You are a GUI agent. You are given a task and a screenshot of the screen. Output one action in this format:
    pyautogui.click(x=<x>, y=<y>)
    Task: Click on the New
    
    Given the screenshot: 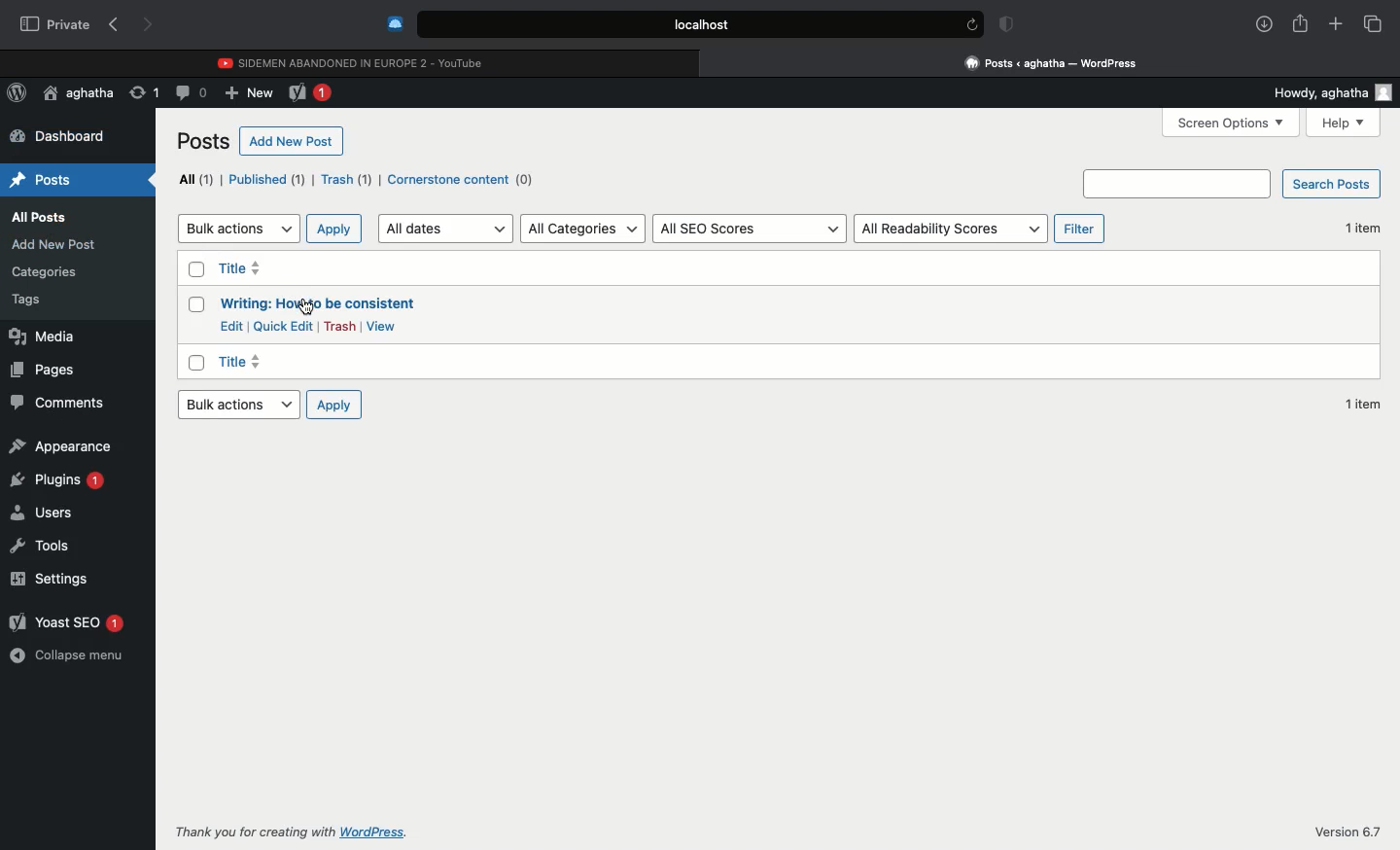 What is the action you would take?
    pyautogui.click(x=249, y=94)
    